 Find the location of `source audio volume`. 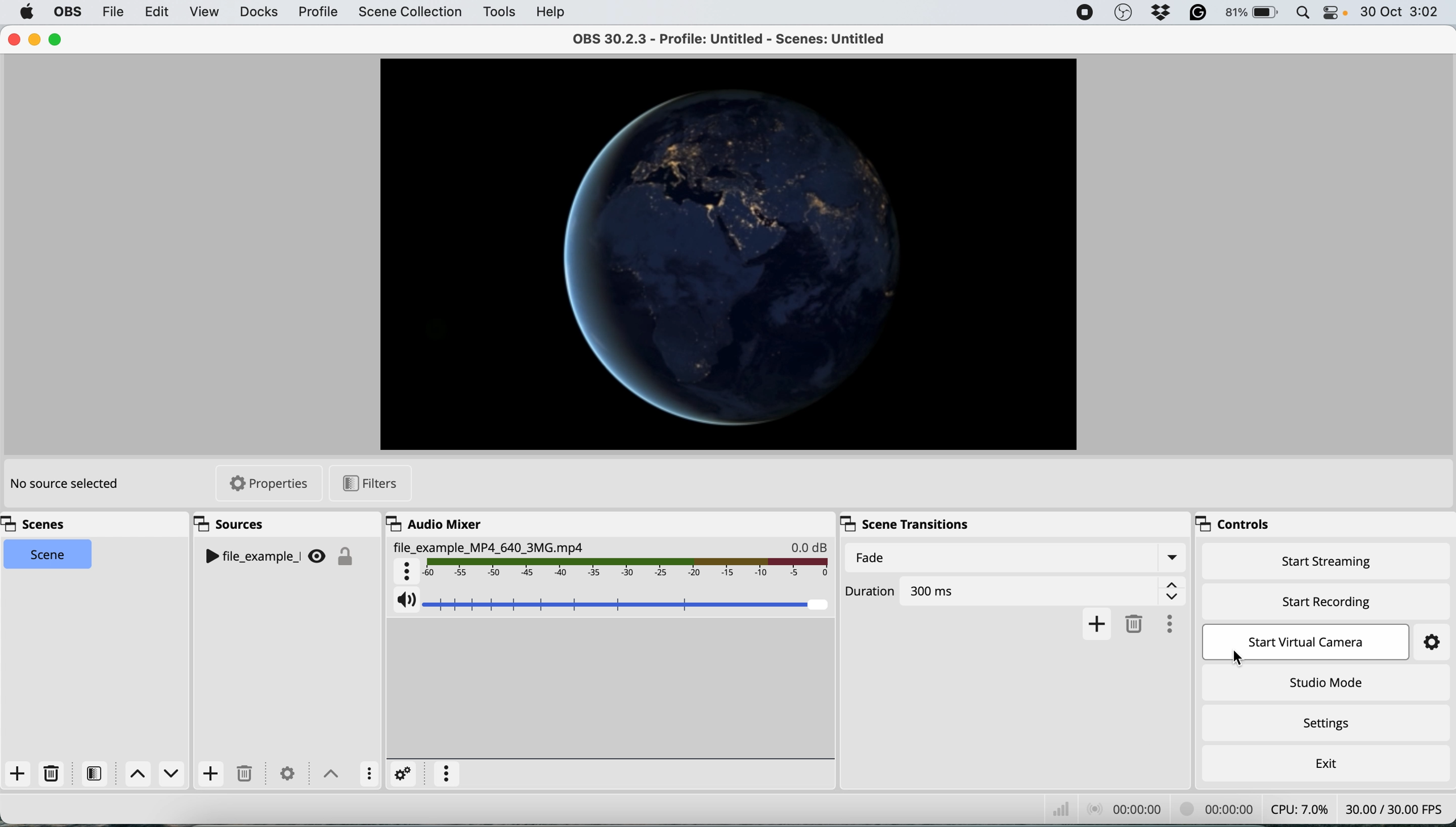

source audio volume is located at coordinates (612, 602).